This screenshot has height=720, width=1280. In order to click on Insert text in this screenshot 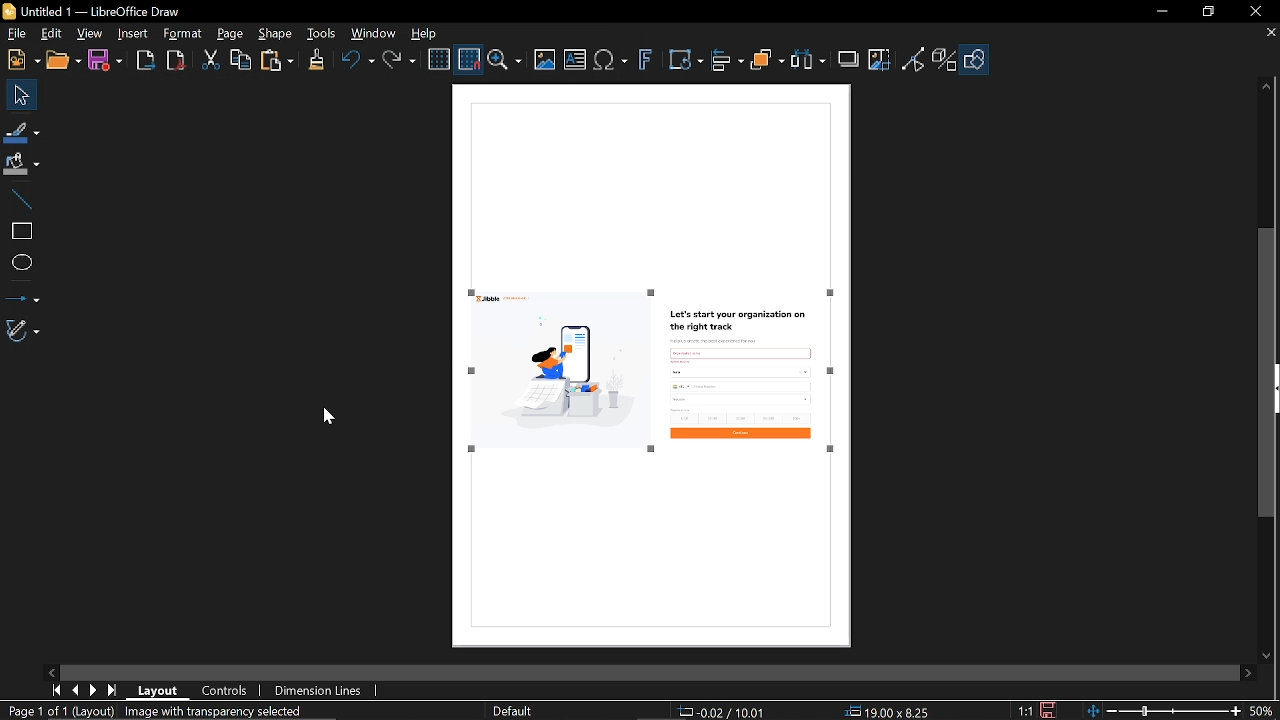, I will do `click(576, 61)`.